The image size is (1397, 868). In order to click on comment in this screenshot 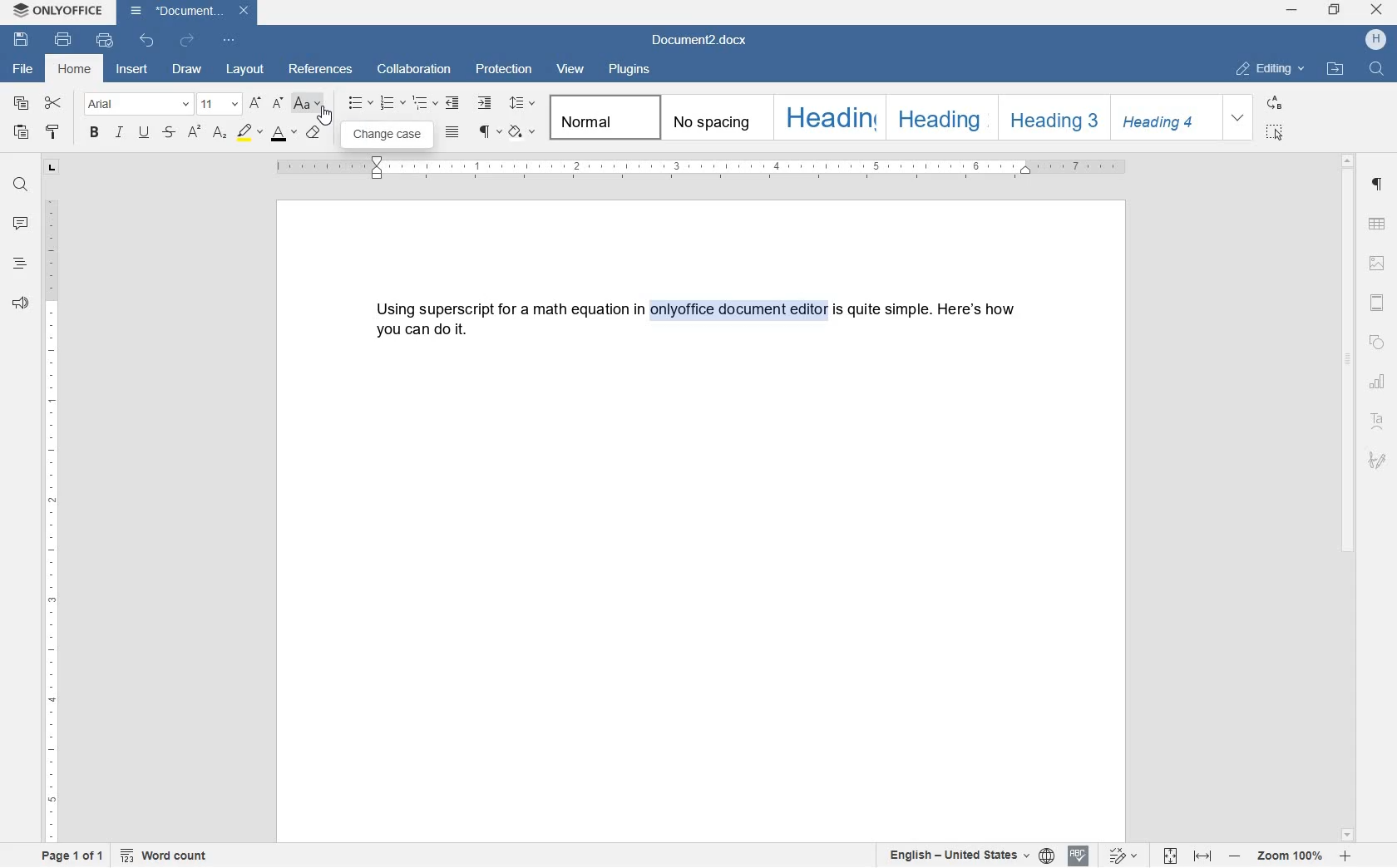, I will do `click(20, 224)`.